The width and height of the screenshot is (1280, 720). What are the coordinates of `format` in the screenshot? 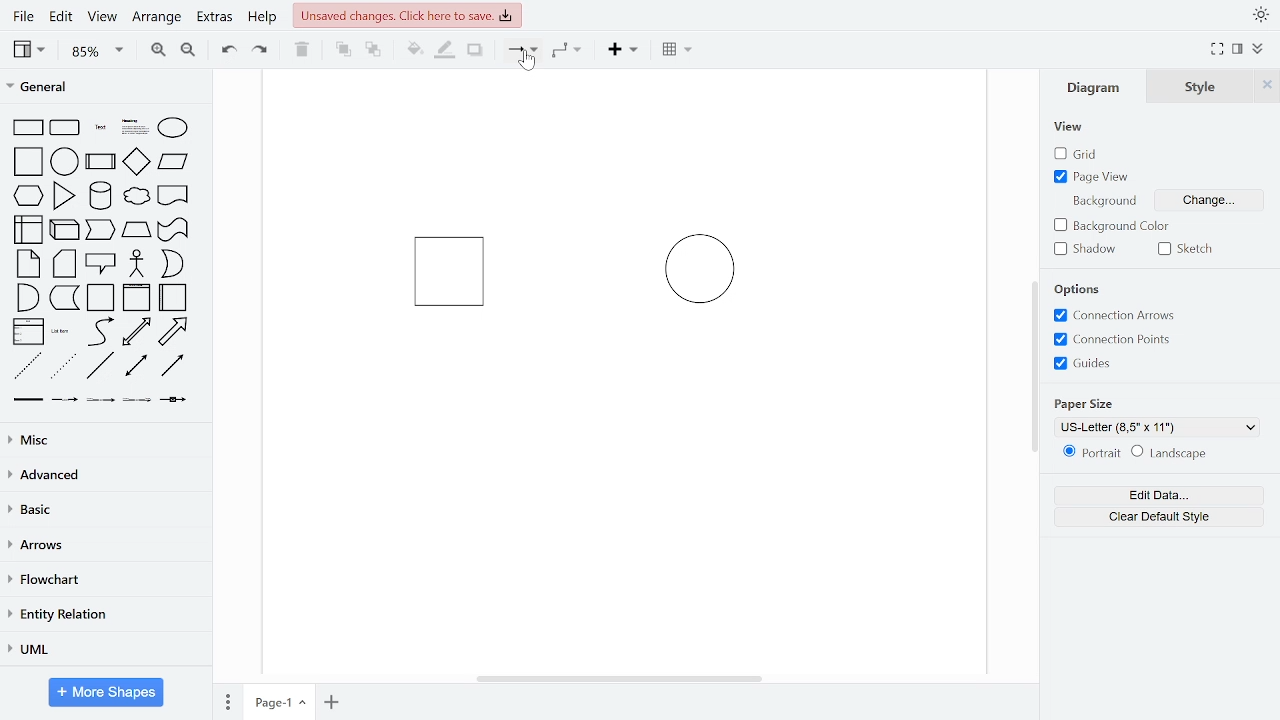 It's located at (1238, 49).